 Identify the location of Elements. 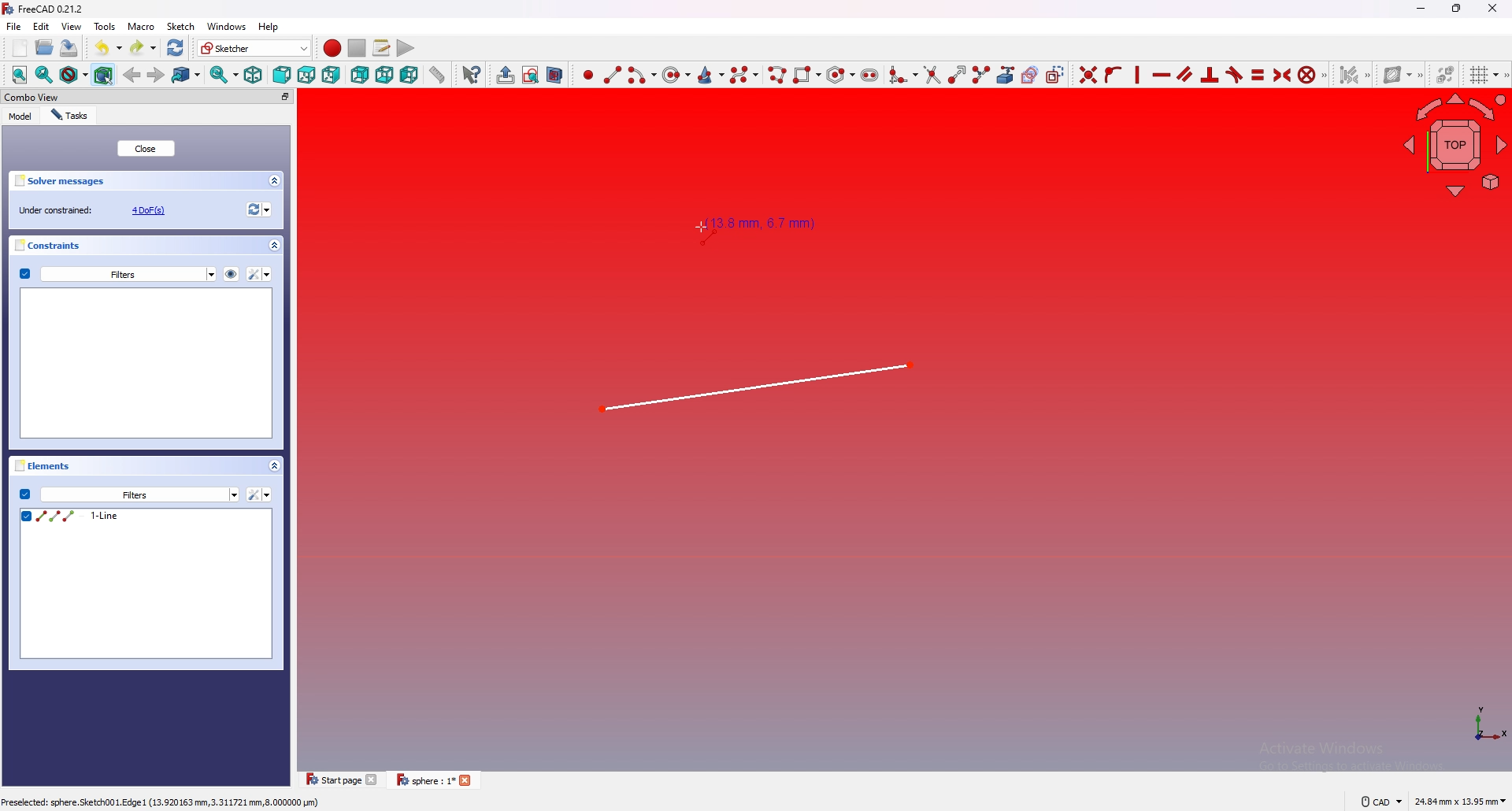
(151, 468).